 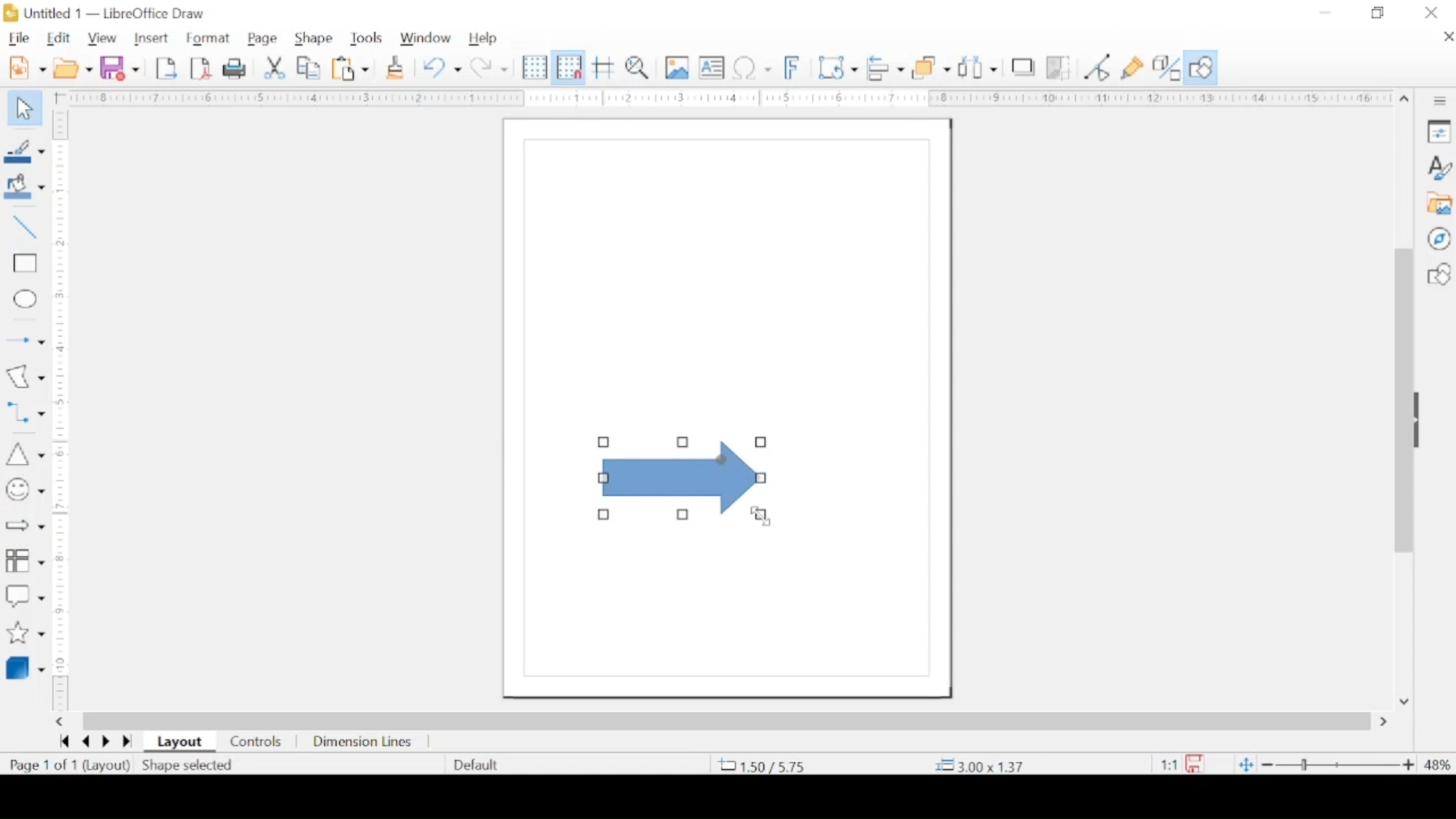 What do you see at coordinates (477, 764) in the screenshot?
I see `default` at bounding box center [477, 764].